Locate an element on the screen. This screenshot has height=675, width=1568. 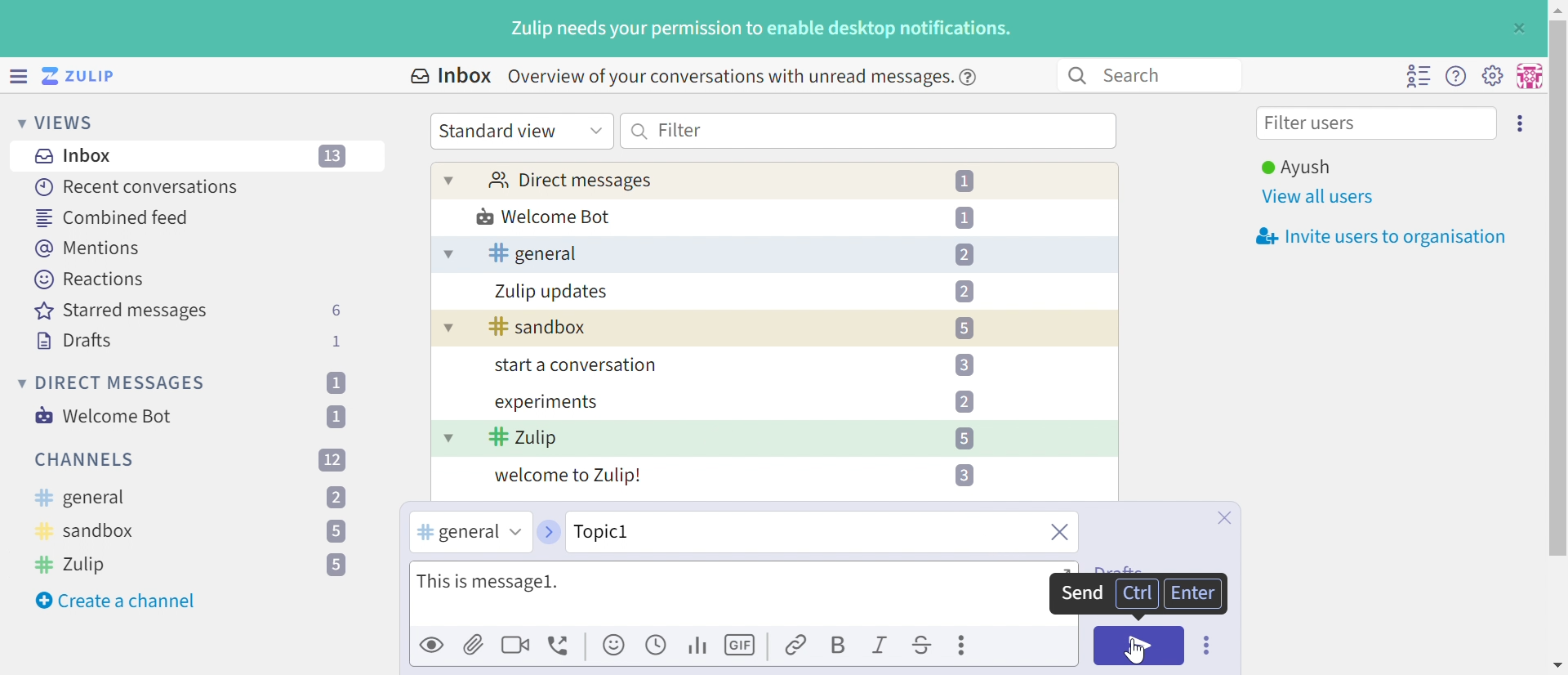
Send options is located at coordinates (1208, 646).